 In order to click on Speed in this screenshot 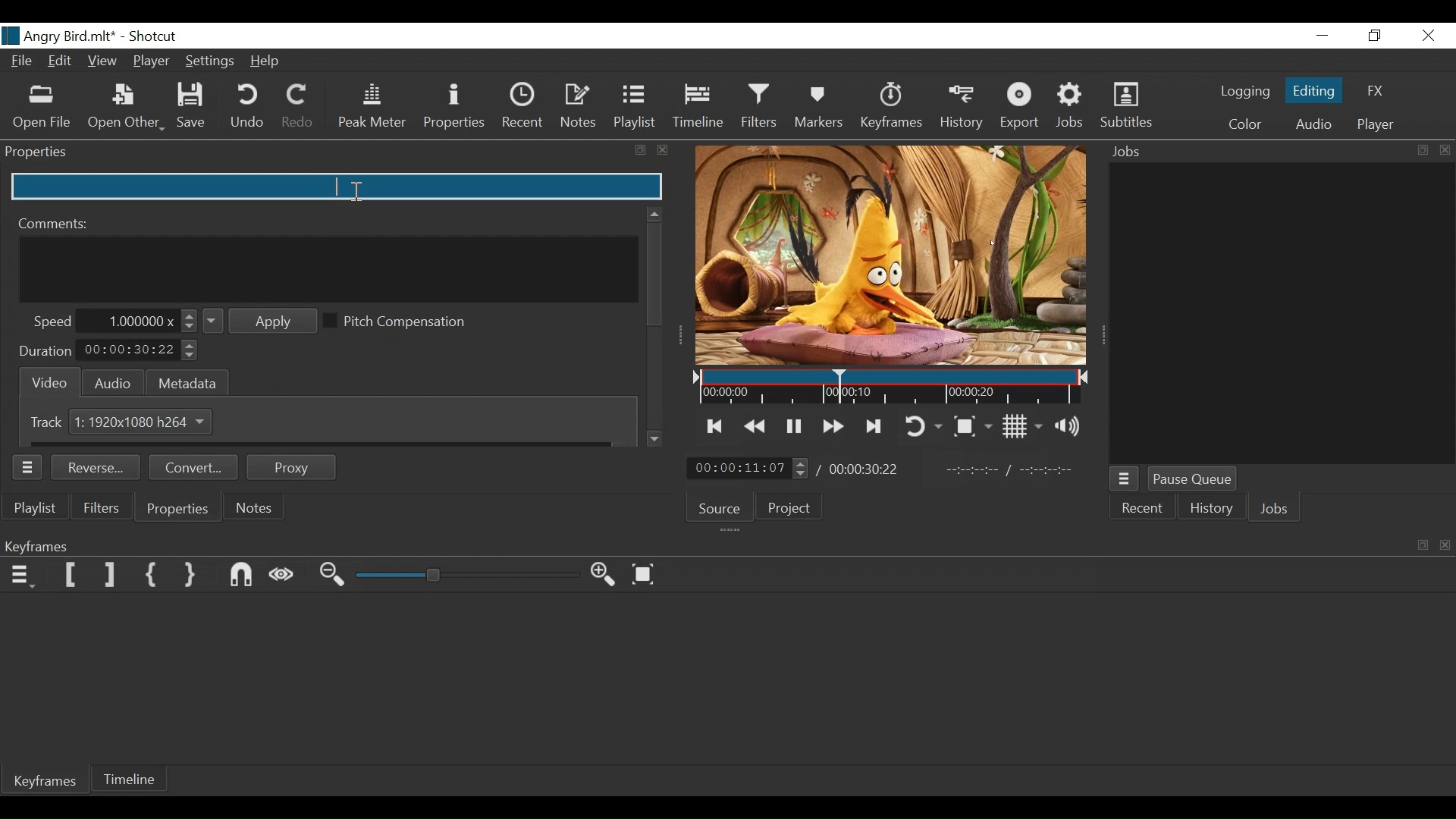, I will do `click(52, 322)`.